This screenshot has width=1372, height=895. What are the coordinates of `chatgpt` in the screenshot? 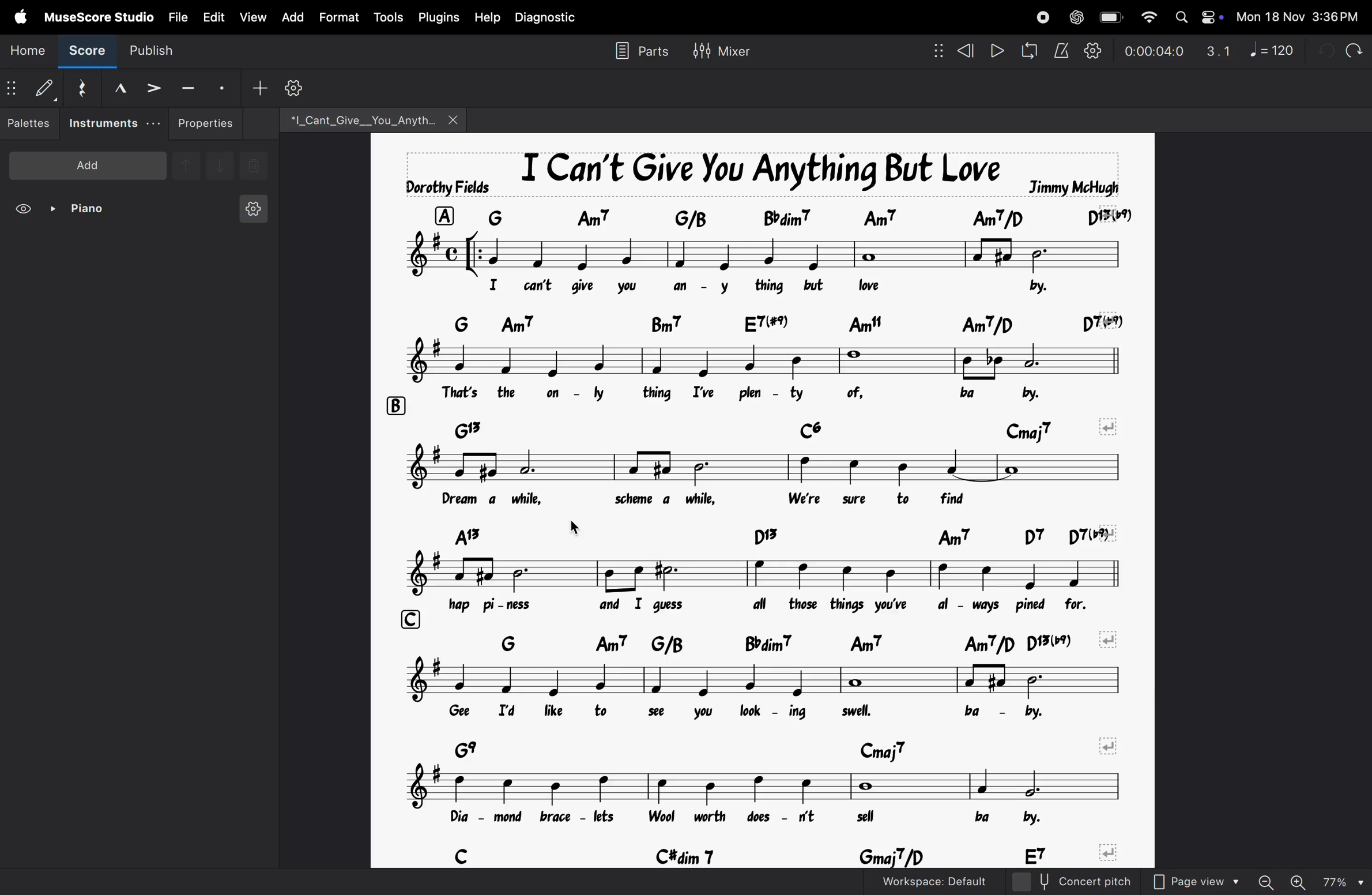 It's located at (1075, 18).